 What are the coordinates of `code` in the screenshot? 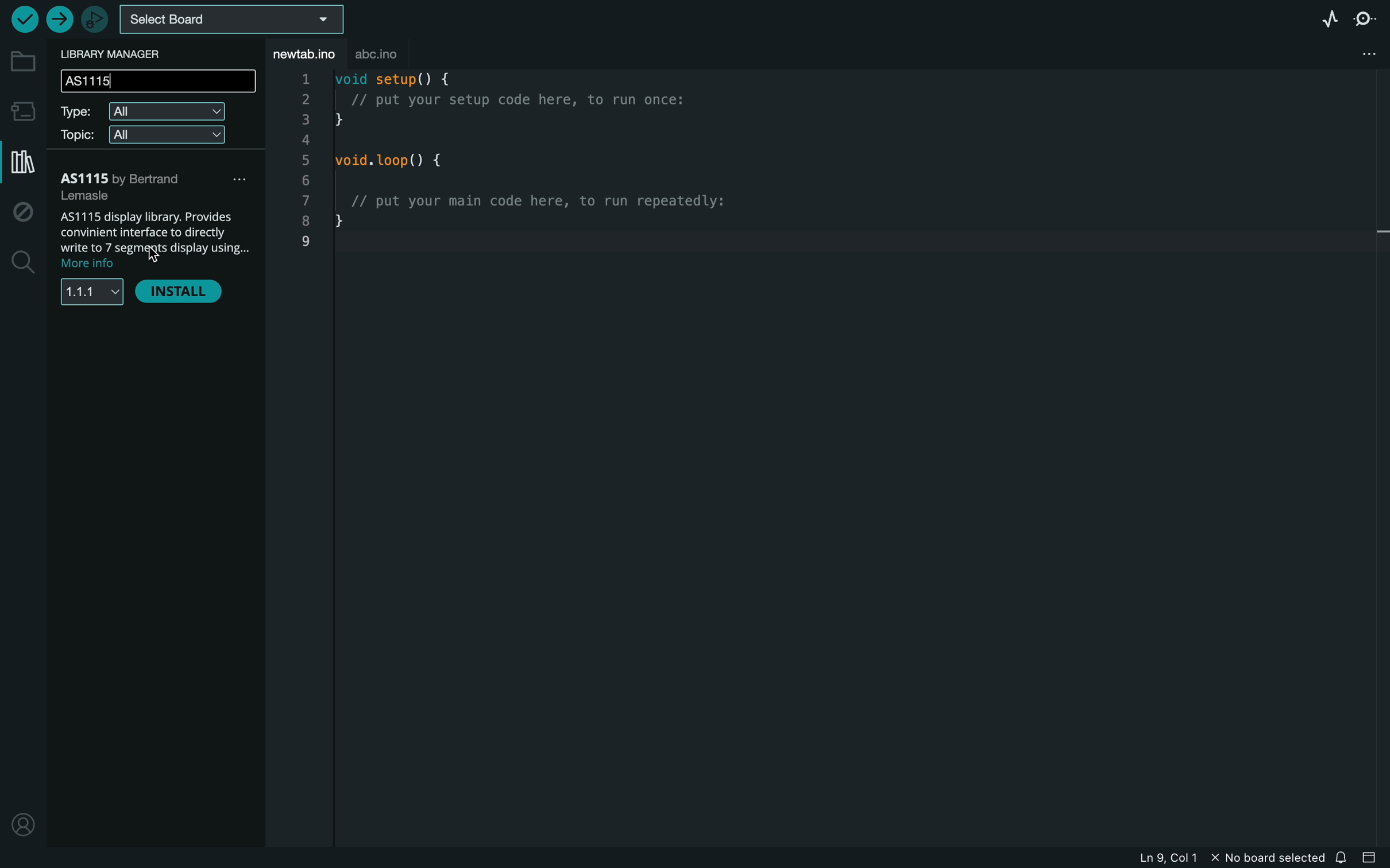 It's located at (565, 179).